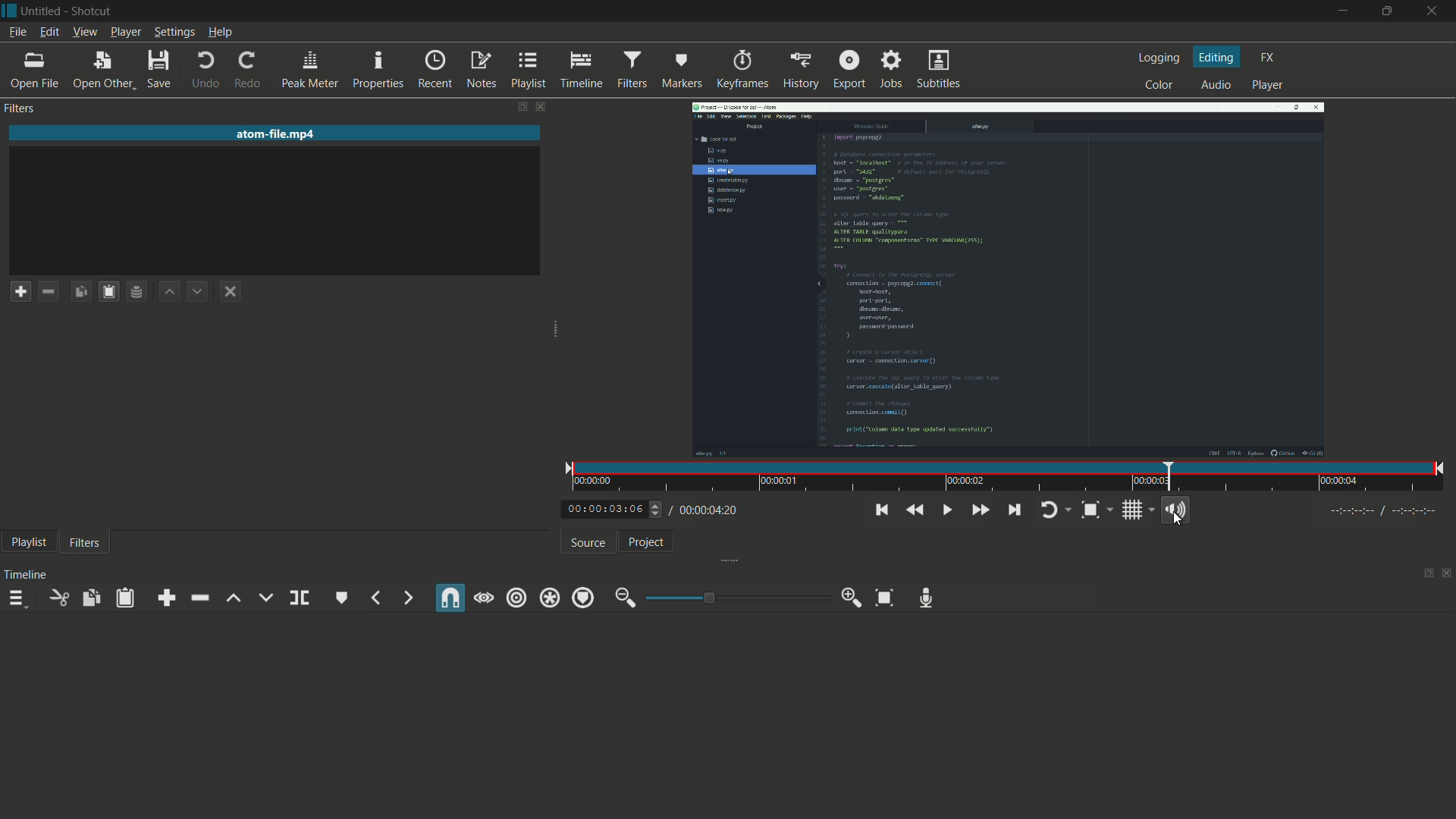  I want to click on jobs, so click(889, 71).